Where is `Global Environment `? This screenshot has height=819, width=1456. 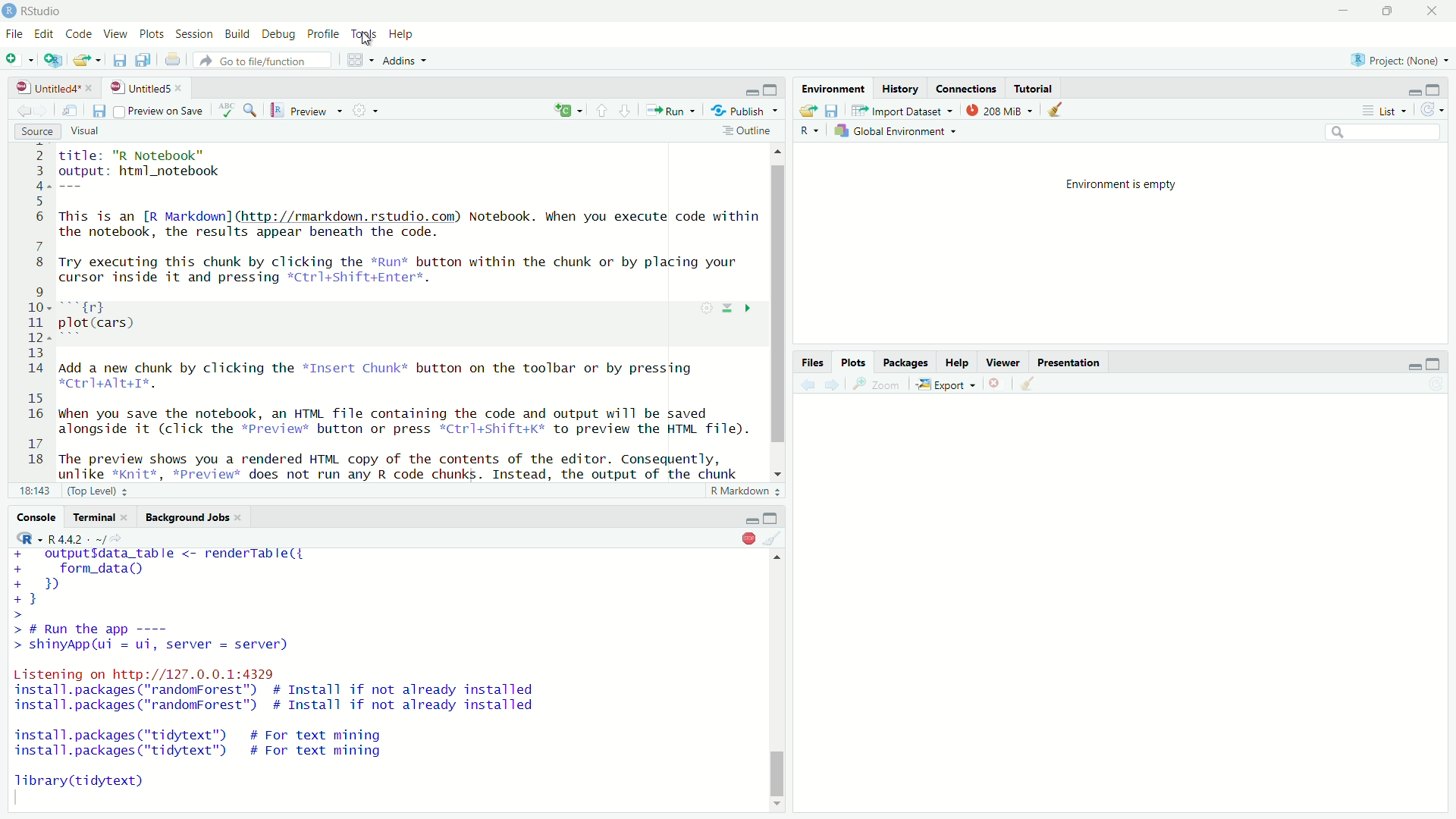 Global Environment  is located at coordinates (896, 131).